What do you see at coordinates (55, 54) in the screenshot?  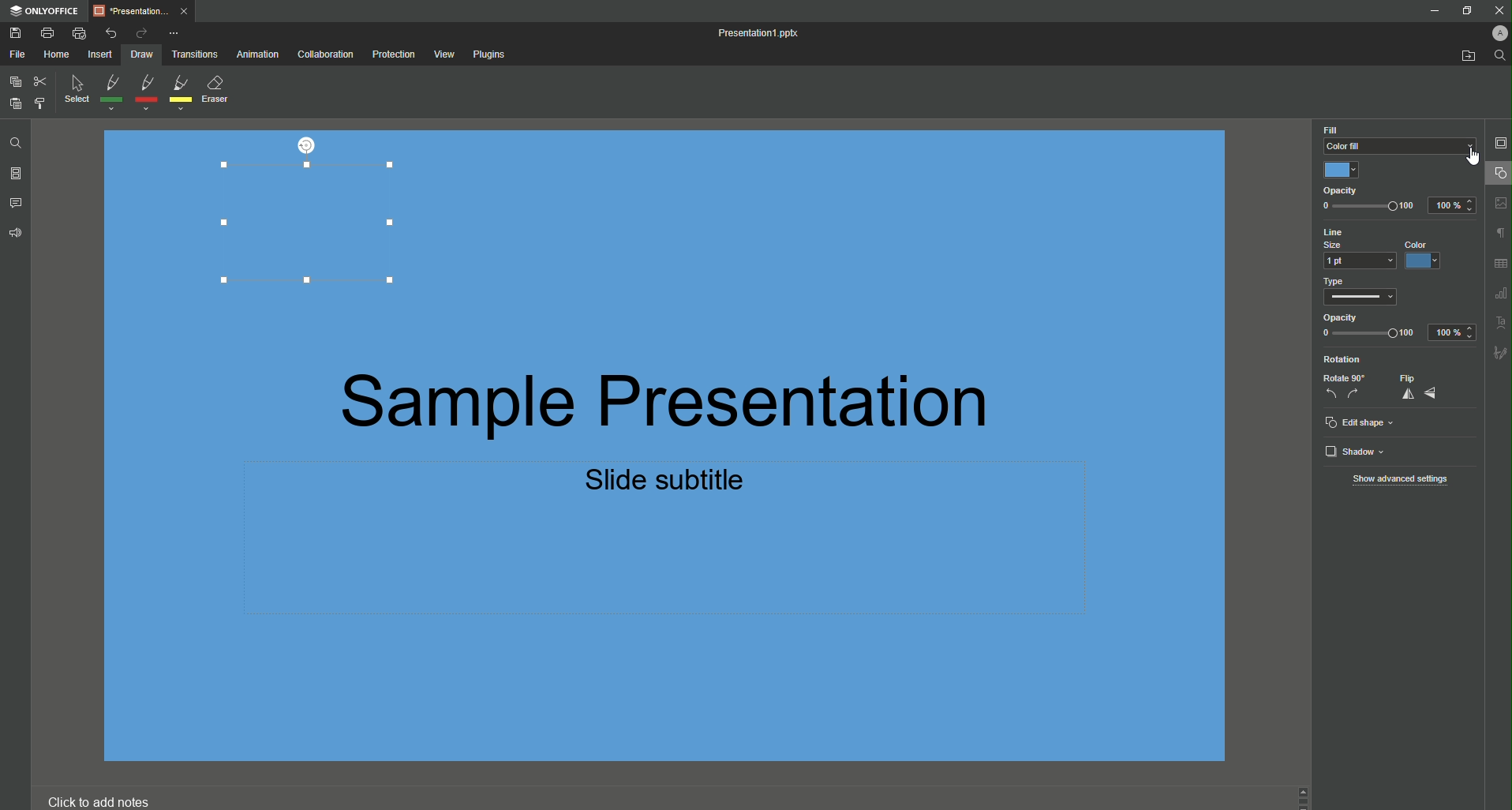 I see `Home` at bounding box center [55, 54].